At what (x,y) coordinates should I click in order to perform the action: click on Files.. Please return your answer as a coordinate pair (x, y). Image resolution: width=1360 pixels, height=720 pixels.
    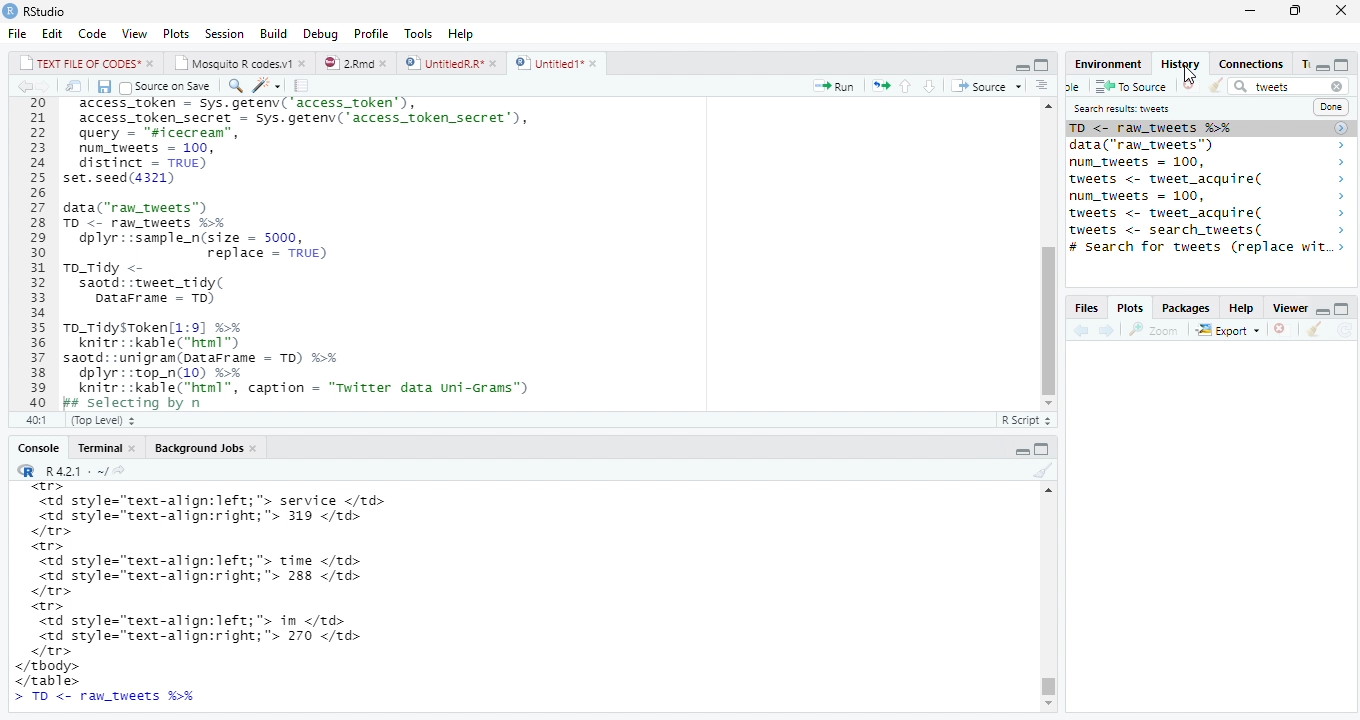
    Looking at the image, I should click on (1085, 307).